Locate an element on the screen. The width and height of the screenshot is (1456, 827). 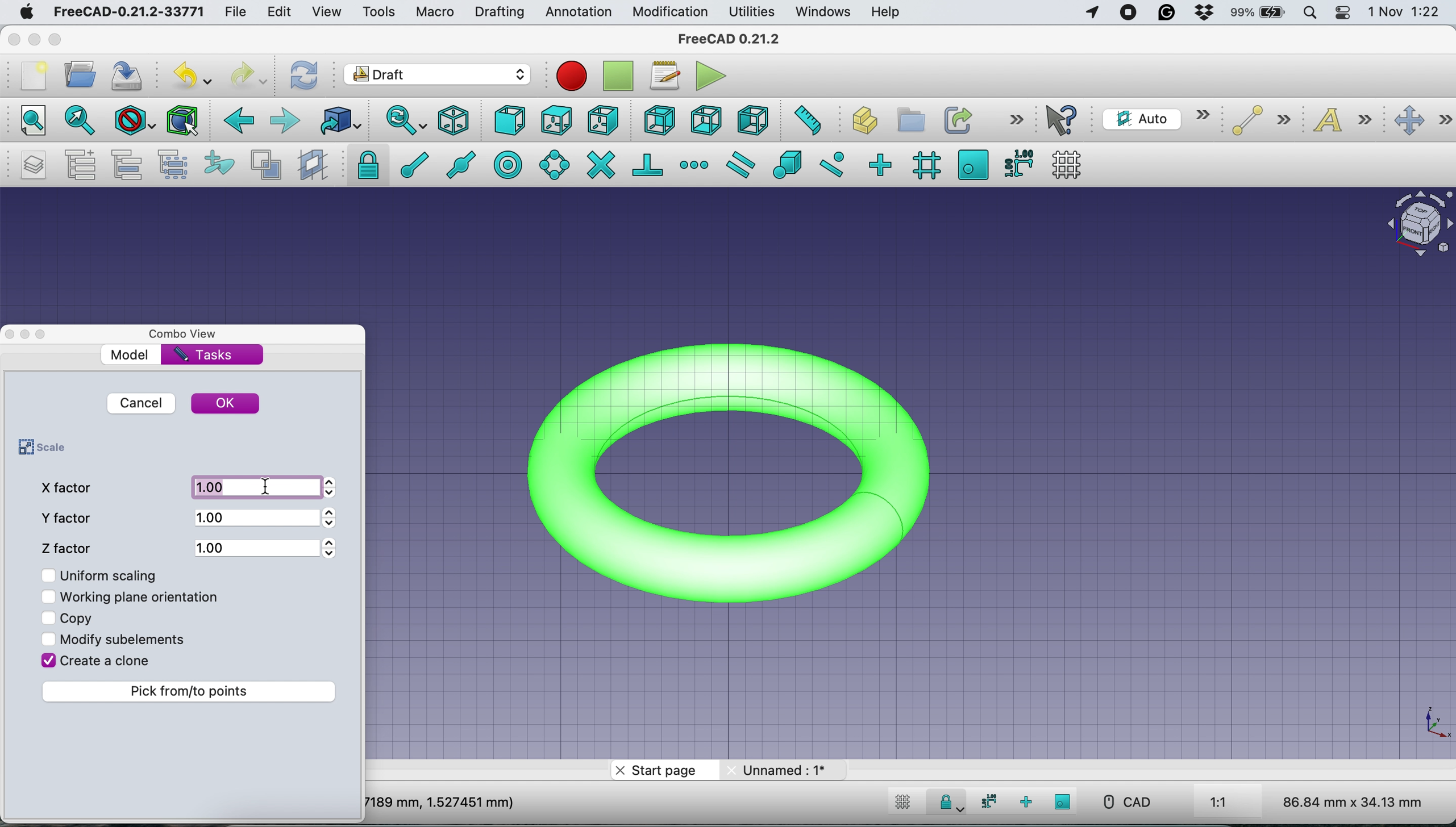
Checkbox is located at coordinates (49, 617).